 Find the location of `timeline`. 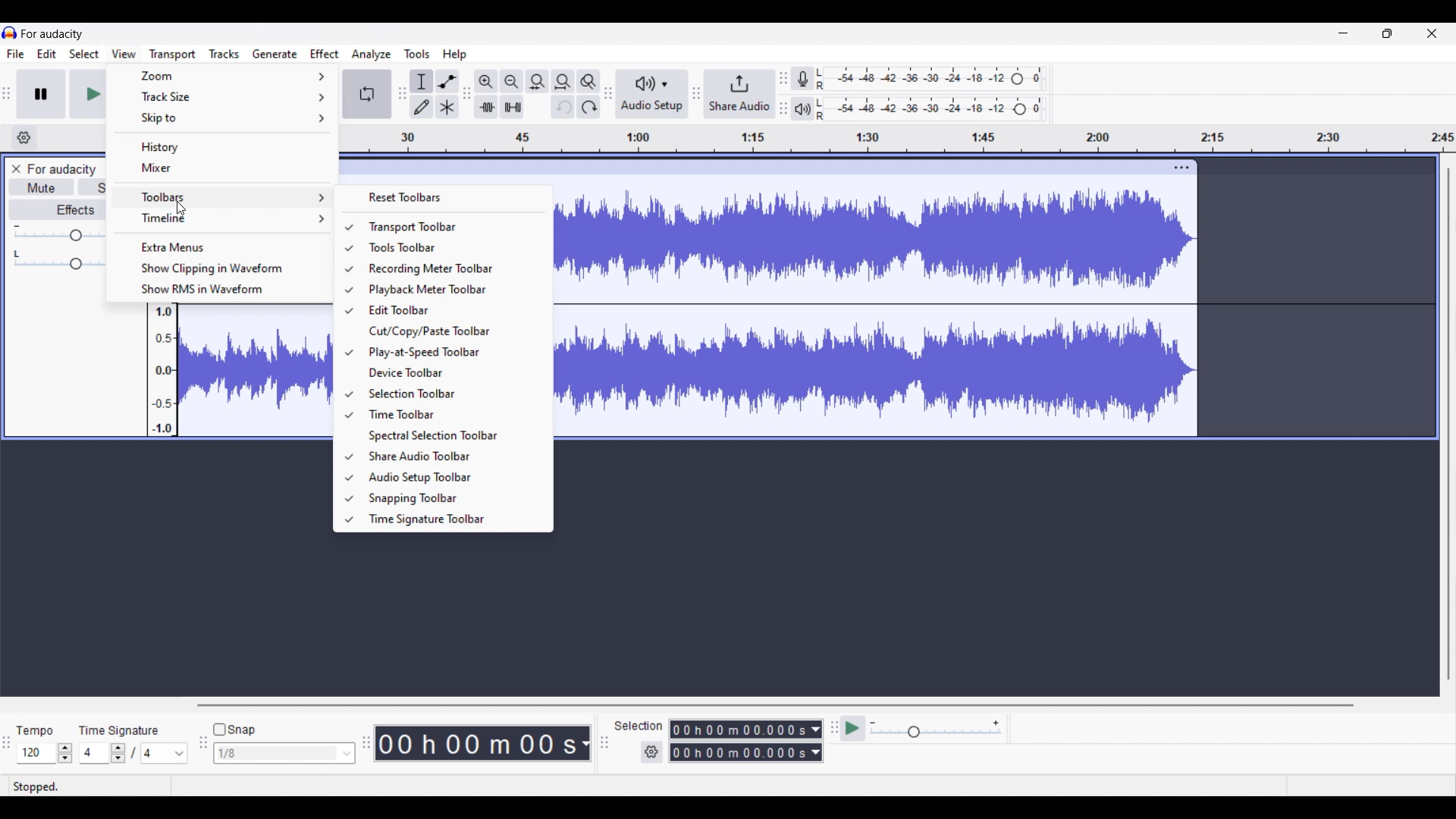

timeline is located at coordinates (899, 140).